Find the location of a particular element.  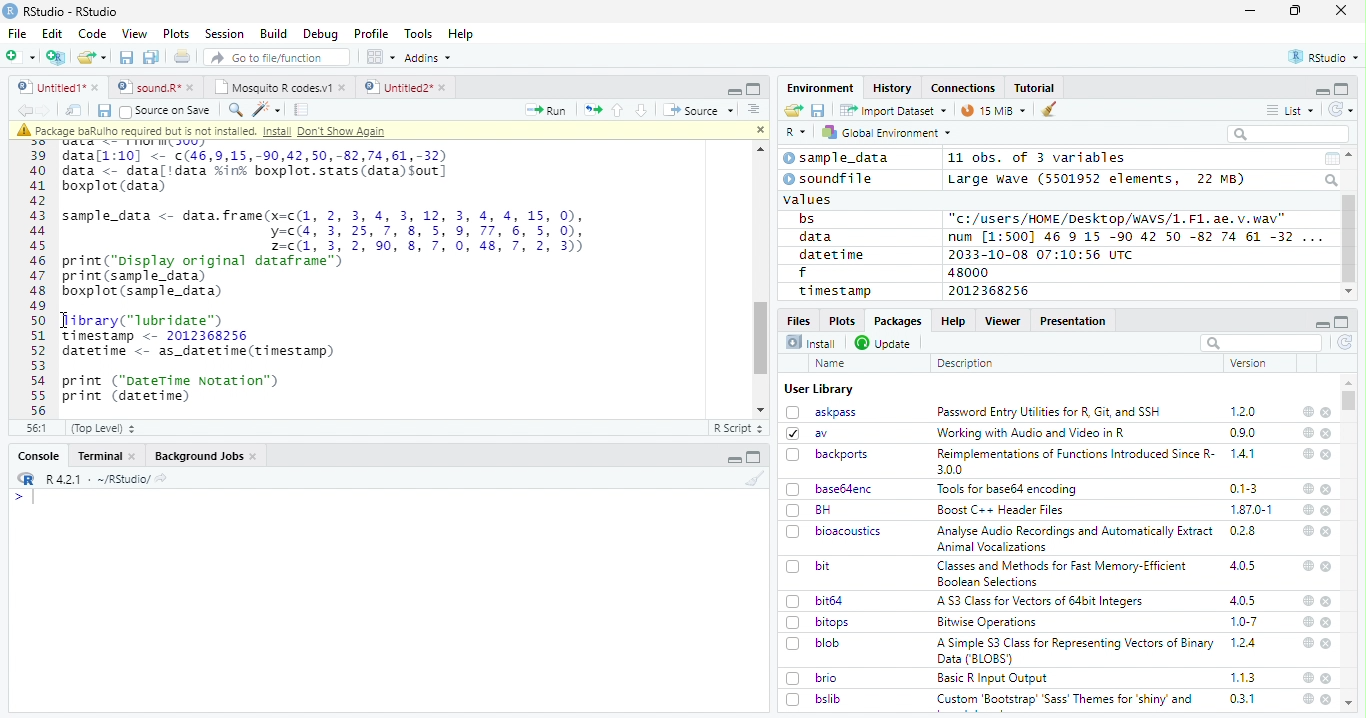

Go to previous section is located at coordinates (619, 110).